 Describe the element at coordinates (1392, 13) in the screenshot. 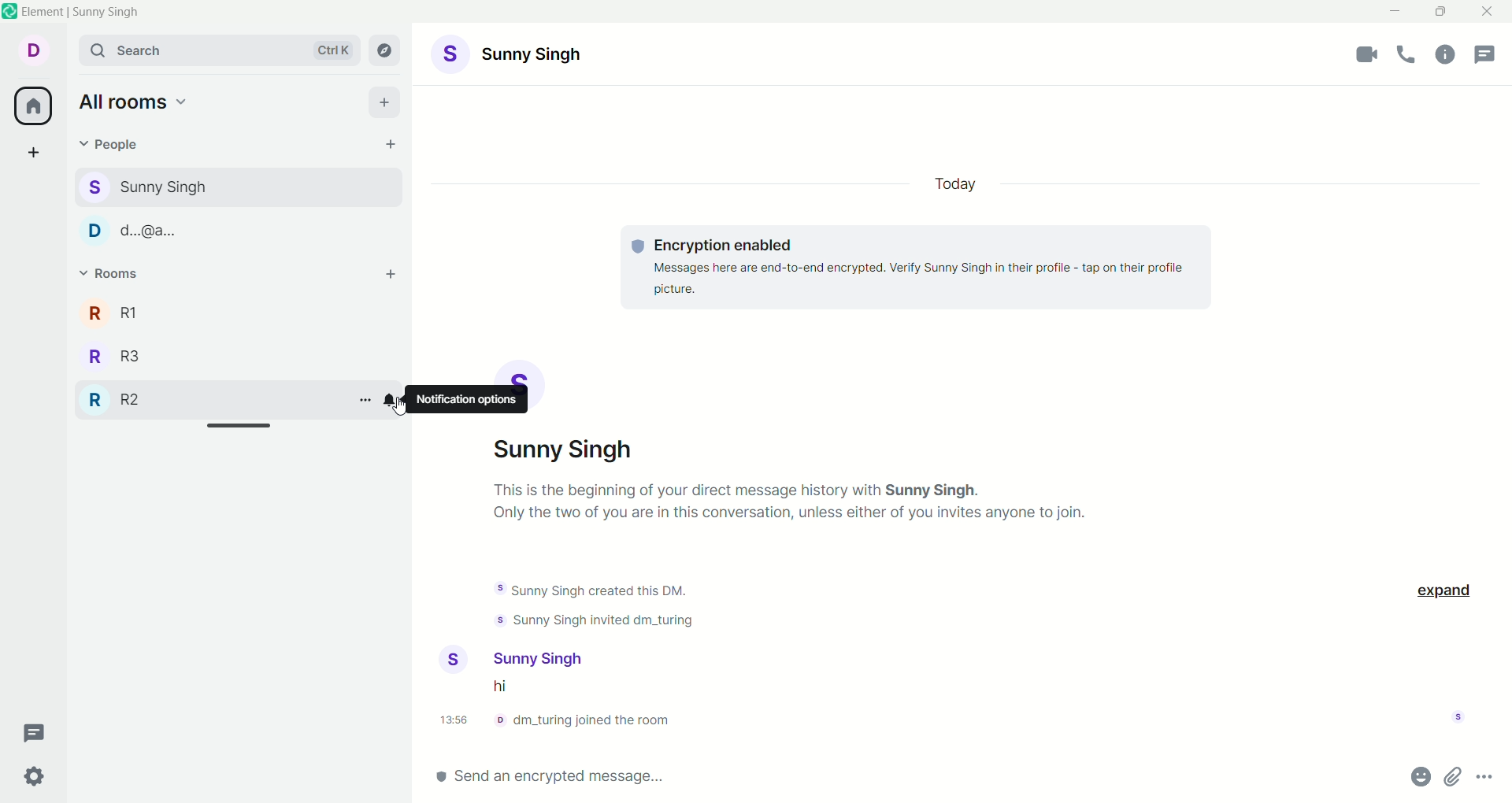

I see `minimize` at that location.